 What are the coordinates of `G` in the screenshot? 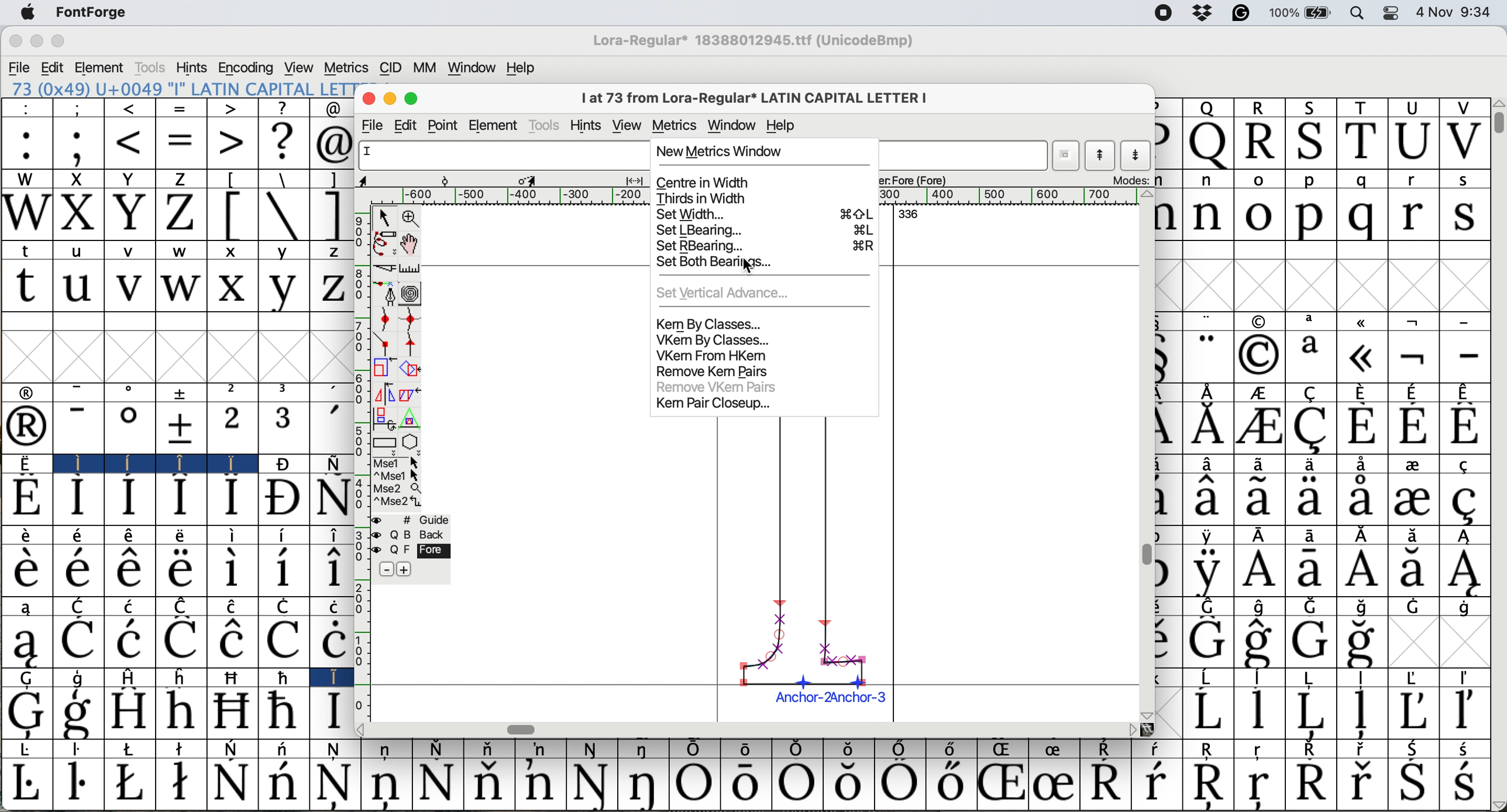 It's located at (29, 679).